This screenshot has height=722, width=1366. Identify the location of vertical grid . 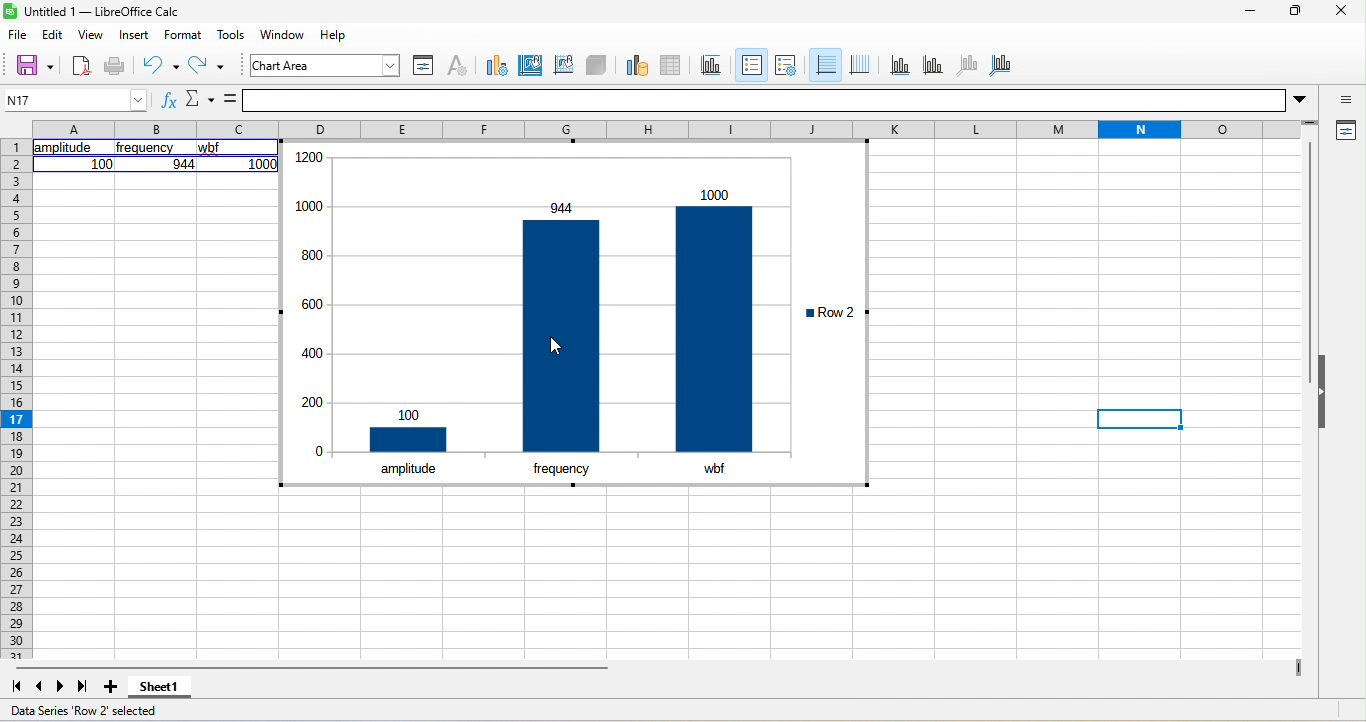
(864, 64).